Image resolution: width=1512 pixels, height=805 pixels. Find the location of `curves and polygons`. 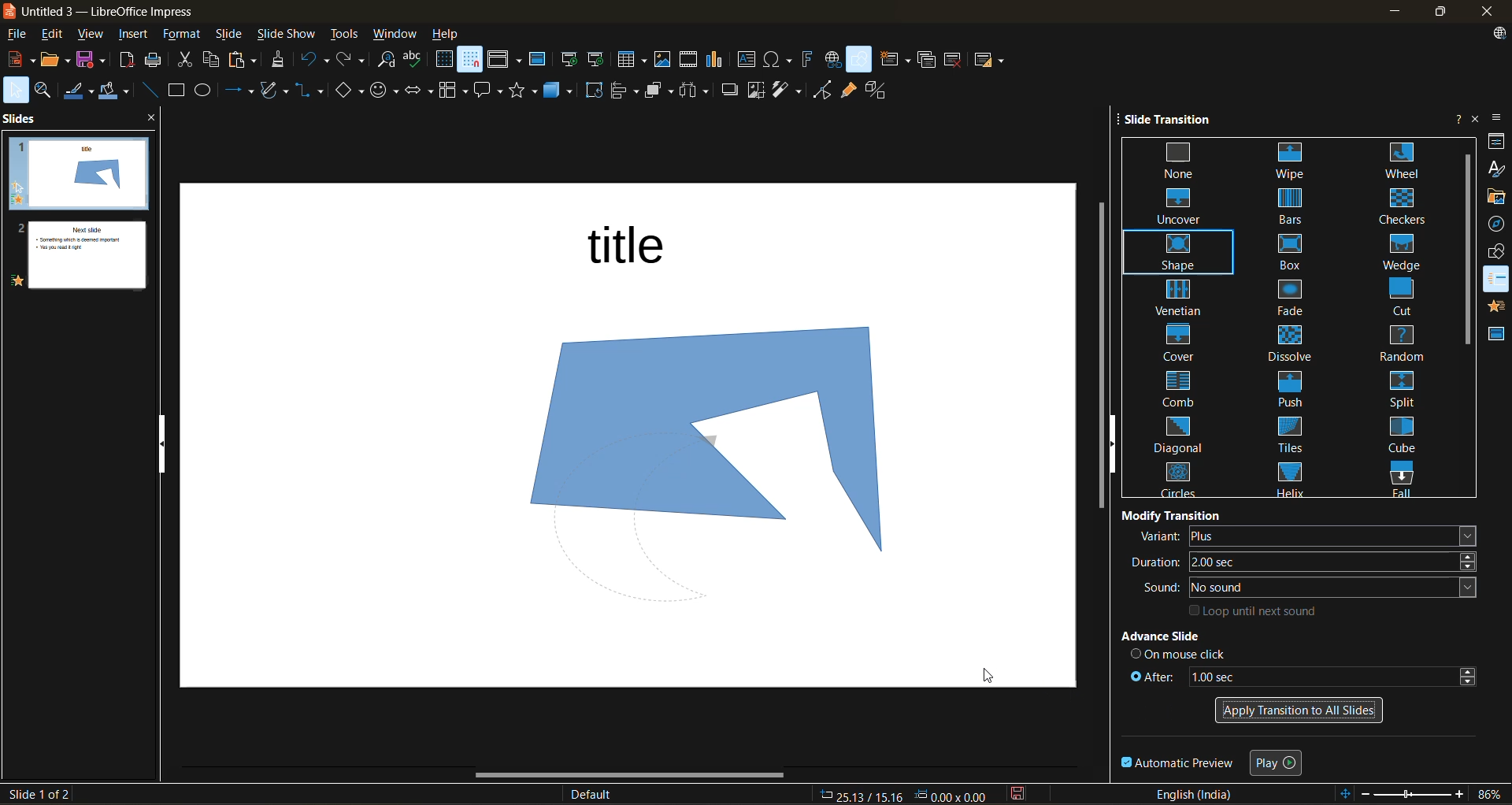

curves and polygons is located at coordinates (274, 91).